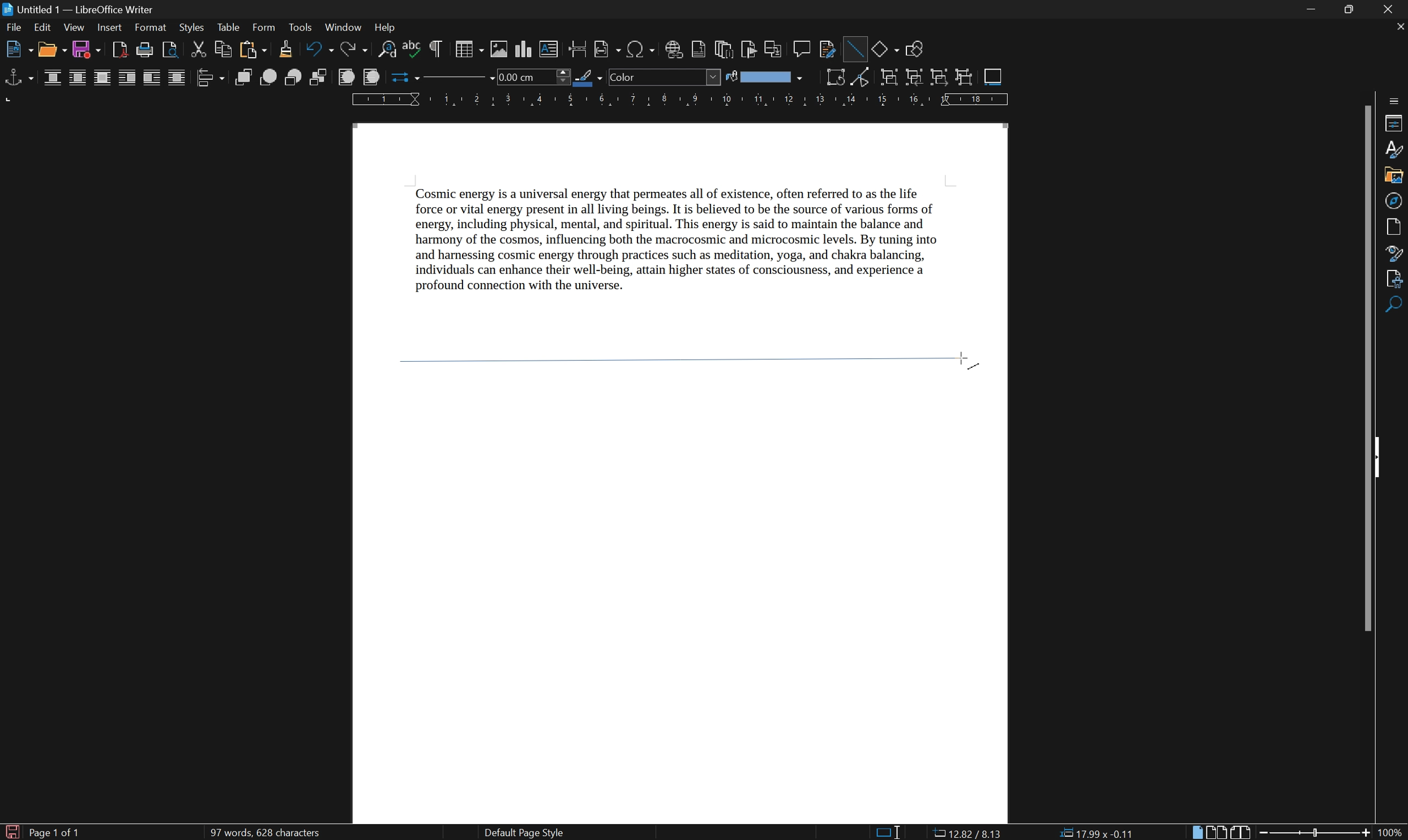 This screenshot has height=840, width=1408. I want to click on spell checking, so click(412, 50).